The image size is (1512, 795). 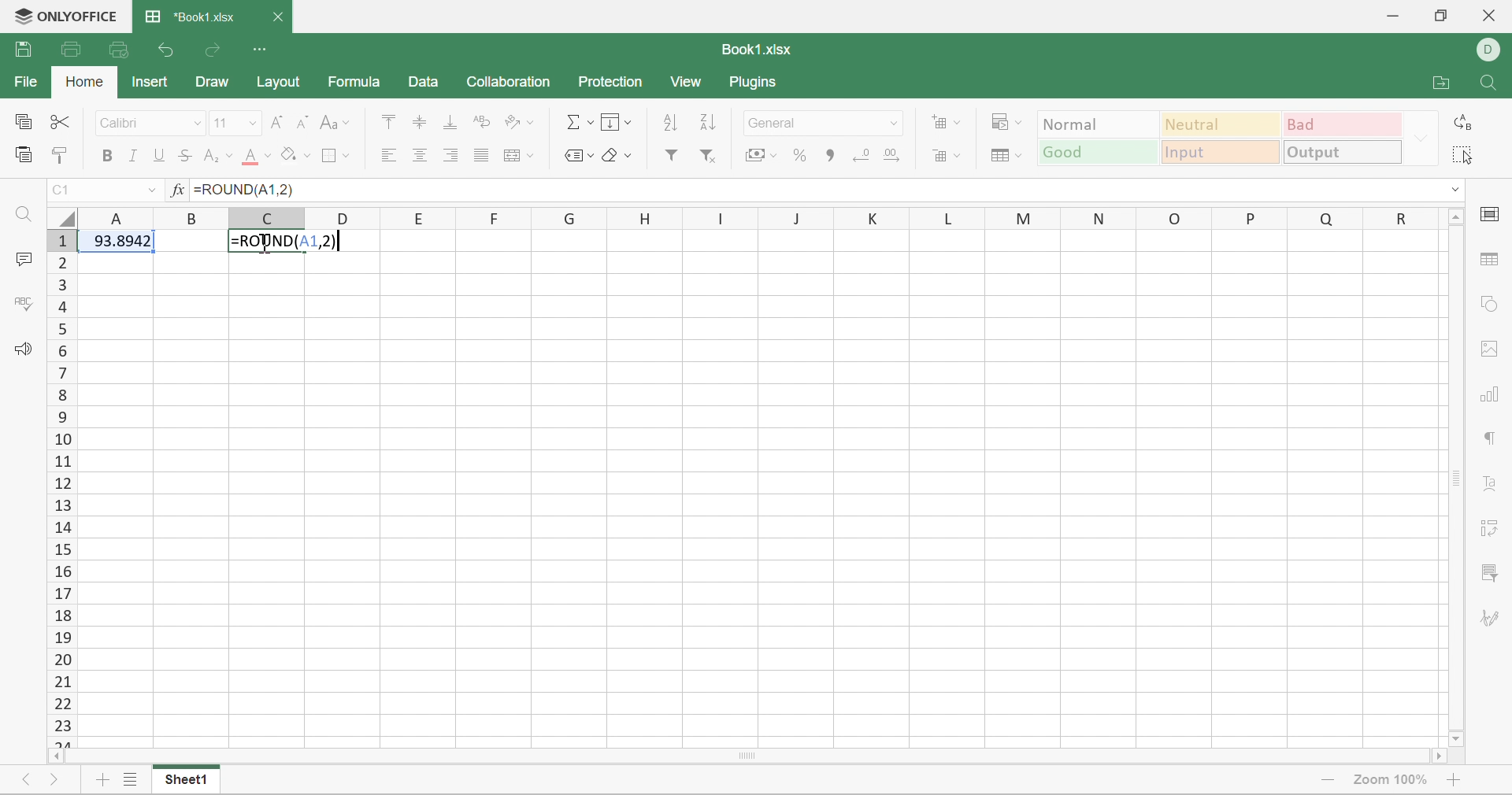 What do you see at coordinates (1492, 486) in the screenshot?
I see `Text Art settings` at bounding box center [1492, 486].